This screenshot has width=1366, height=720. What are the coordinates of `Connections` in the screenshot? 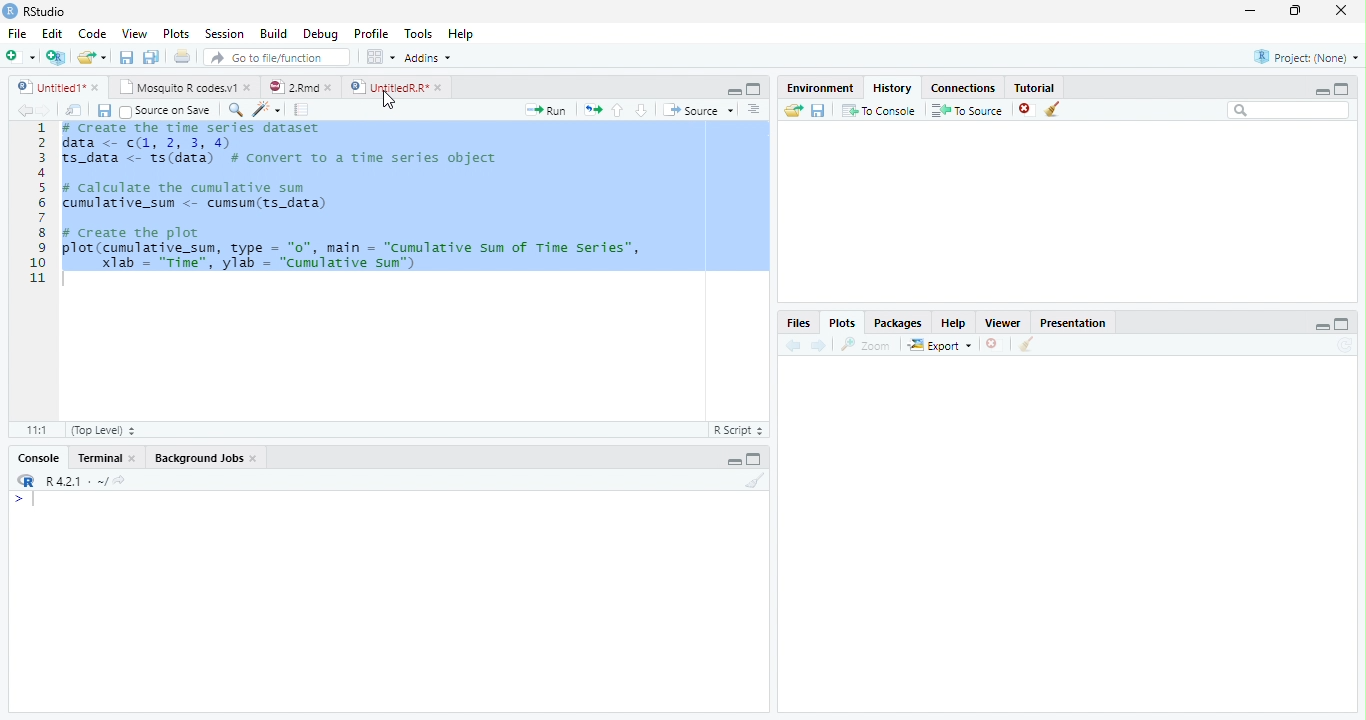 It's located at (961, 87).